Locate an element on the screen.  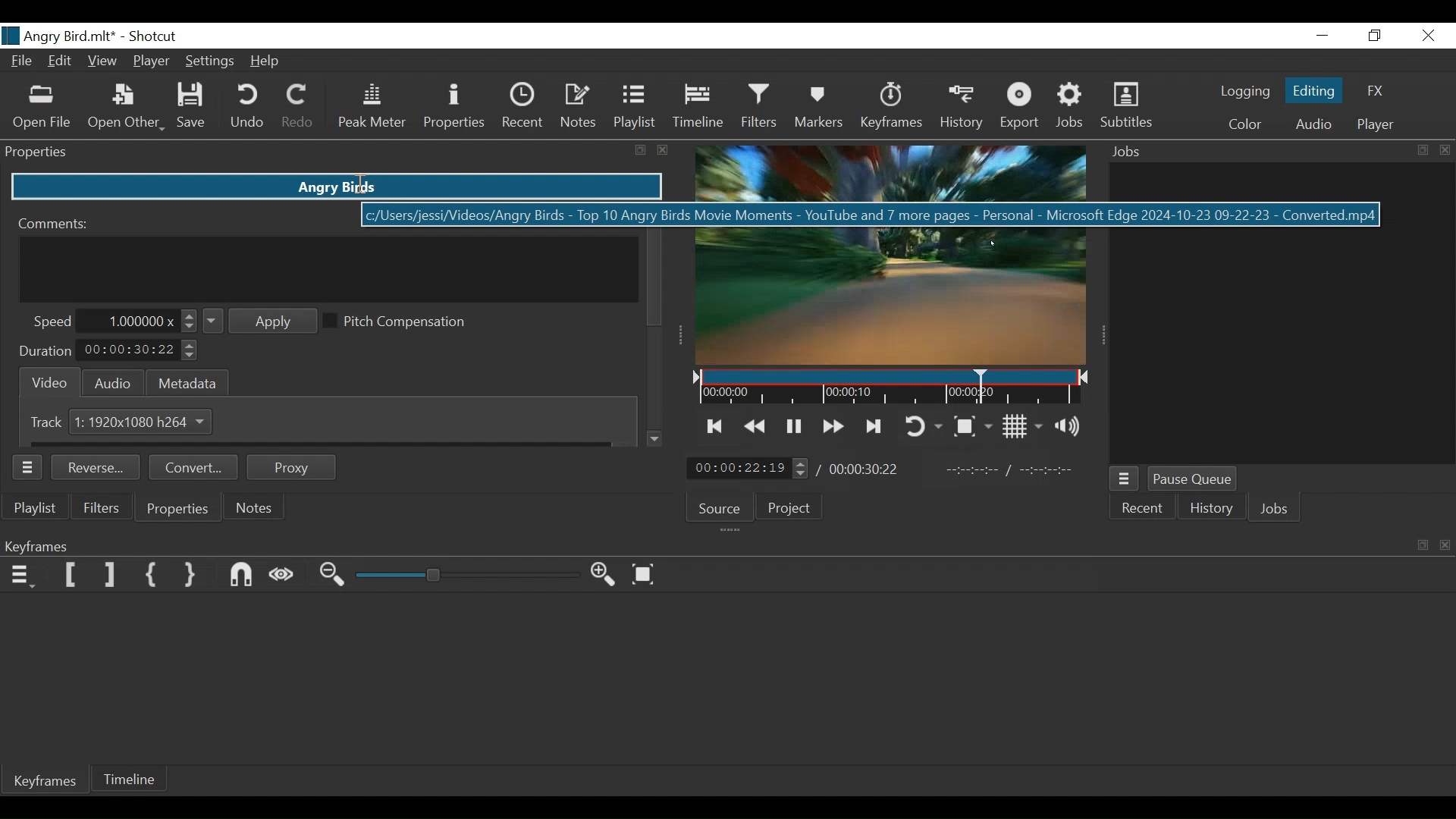
Video is located at coordinates (46, 381).